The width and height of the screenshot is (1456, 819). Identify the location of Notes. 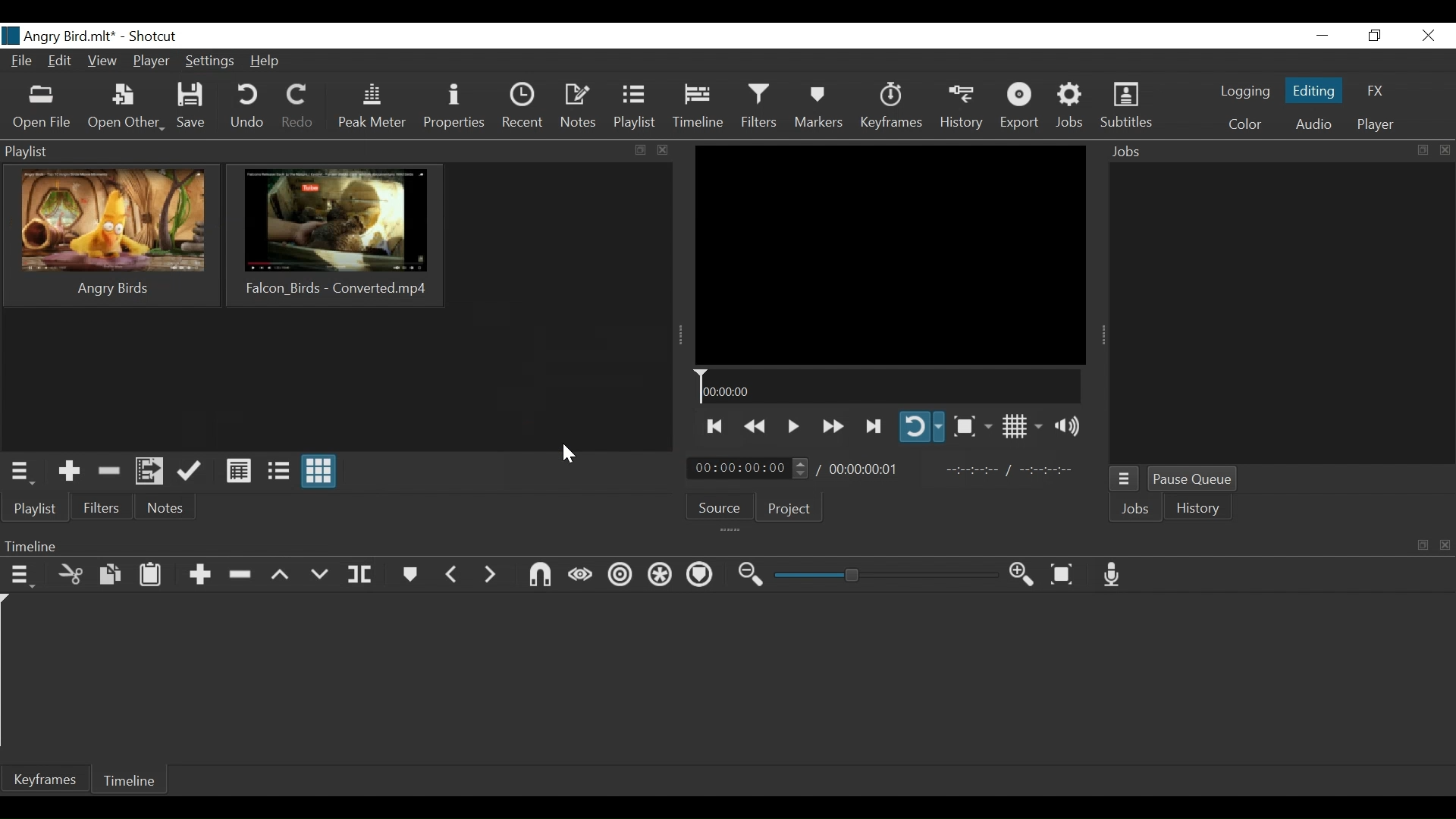
(163, 508).